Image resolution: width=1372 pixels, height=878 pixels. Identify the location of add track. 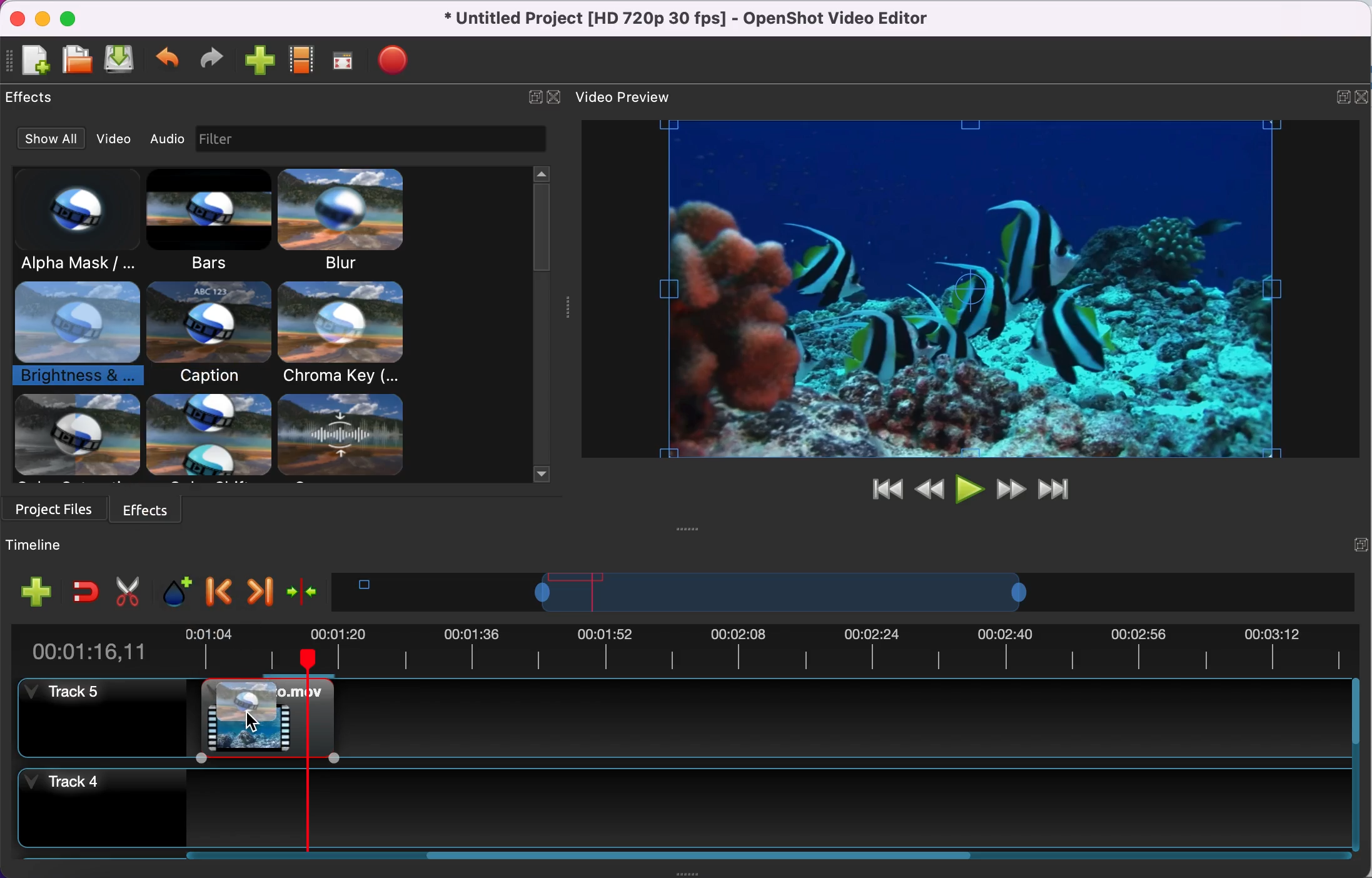
(33, 595).